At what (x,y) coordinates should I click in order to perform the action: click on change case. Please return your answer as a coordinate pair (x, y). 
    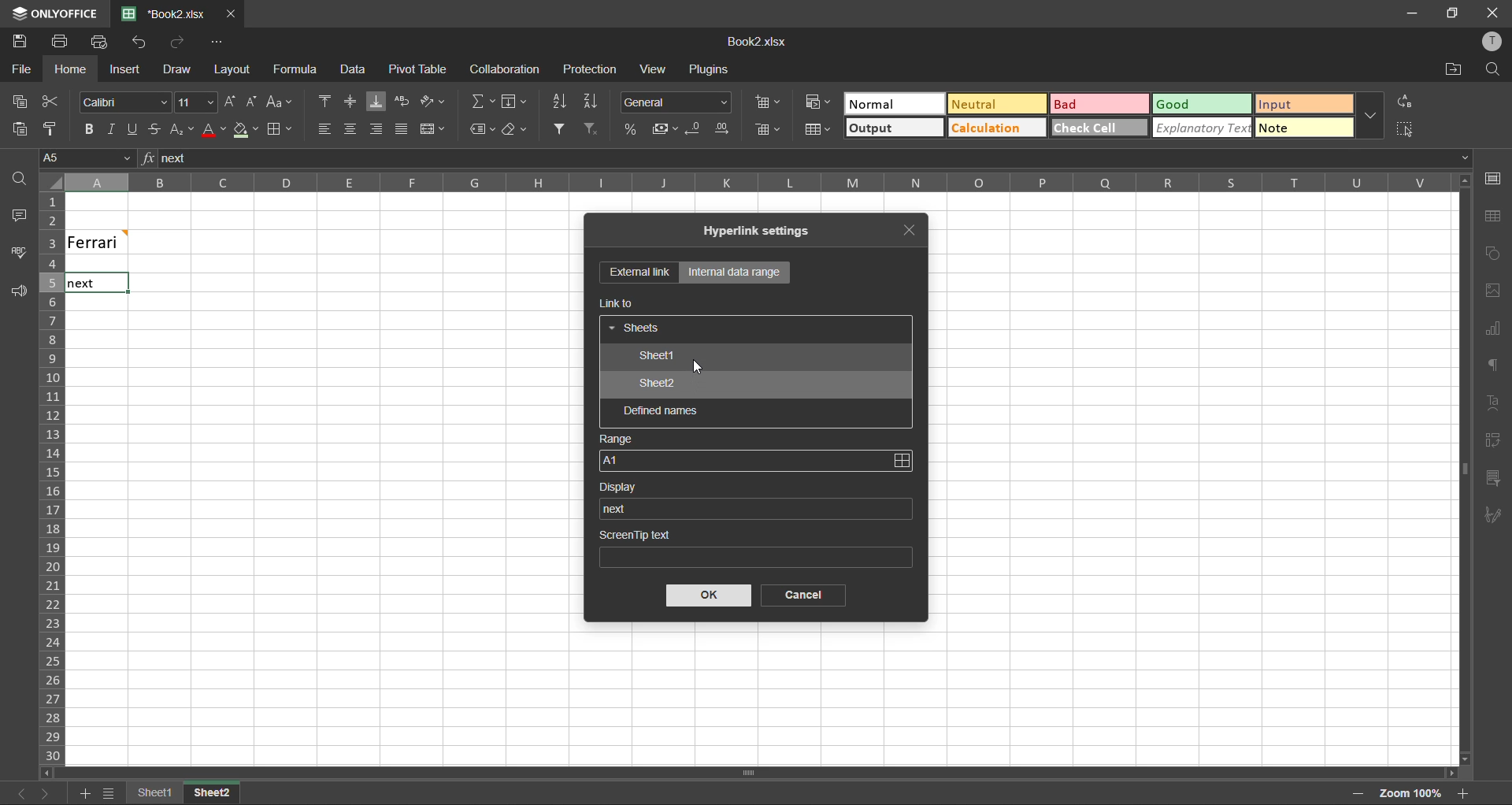
    Looking at the image, I should click on (280, 102).